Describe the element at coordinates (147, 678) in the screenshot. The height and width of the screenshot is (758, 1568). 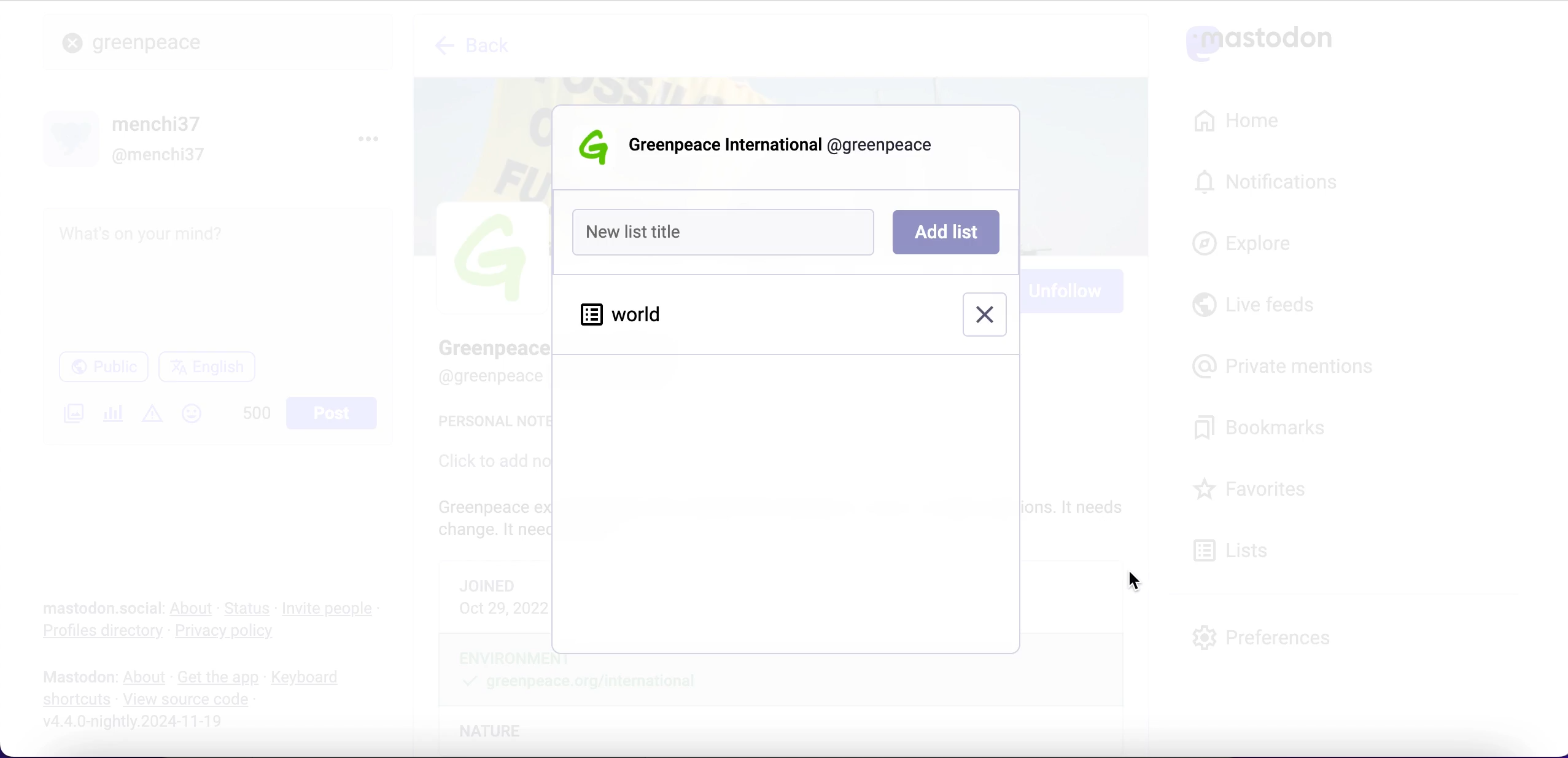
I see `about` at that location.